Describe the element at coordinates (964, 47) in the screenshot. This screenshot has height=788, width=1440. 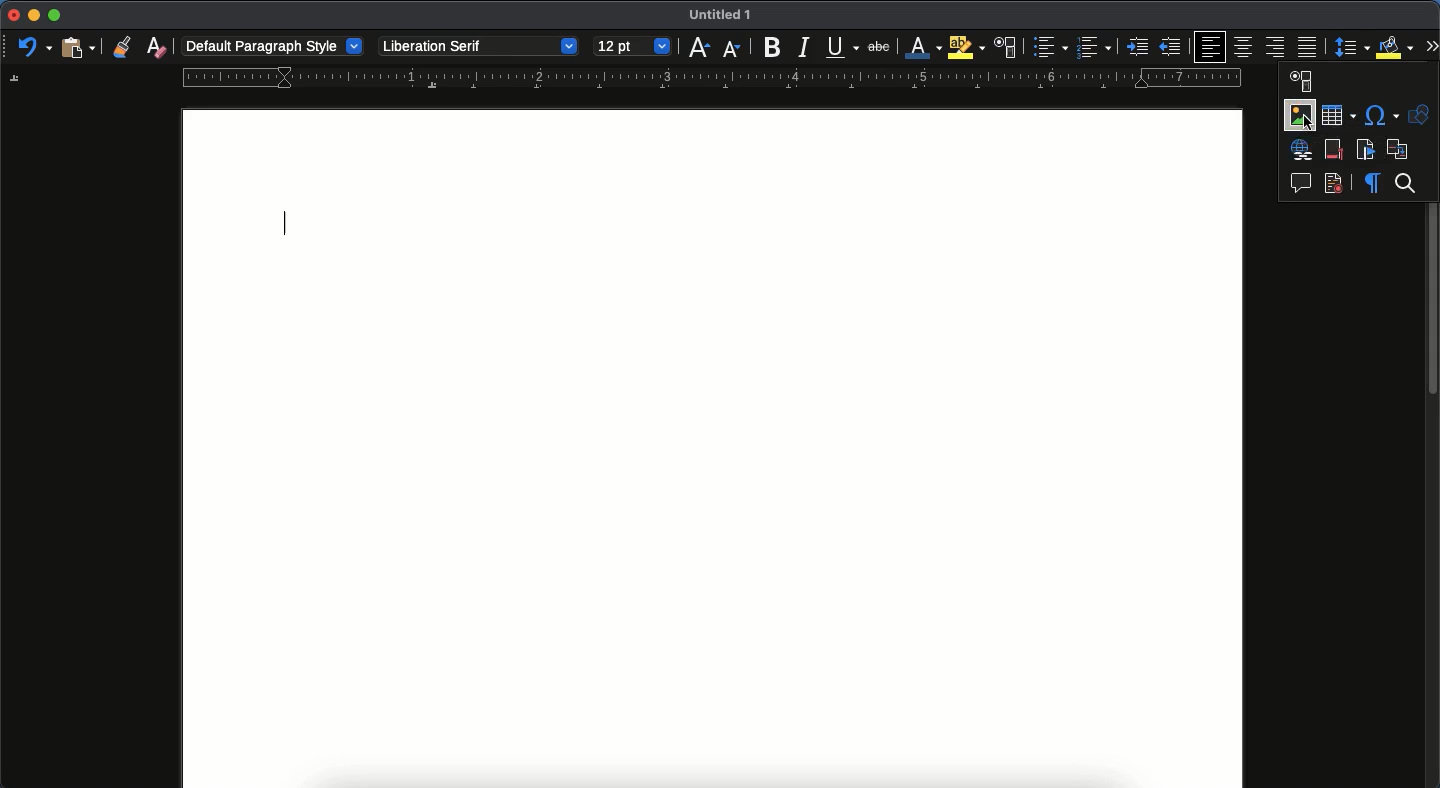
I see `highlight color` at that location.